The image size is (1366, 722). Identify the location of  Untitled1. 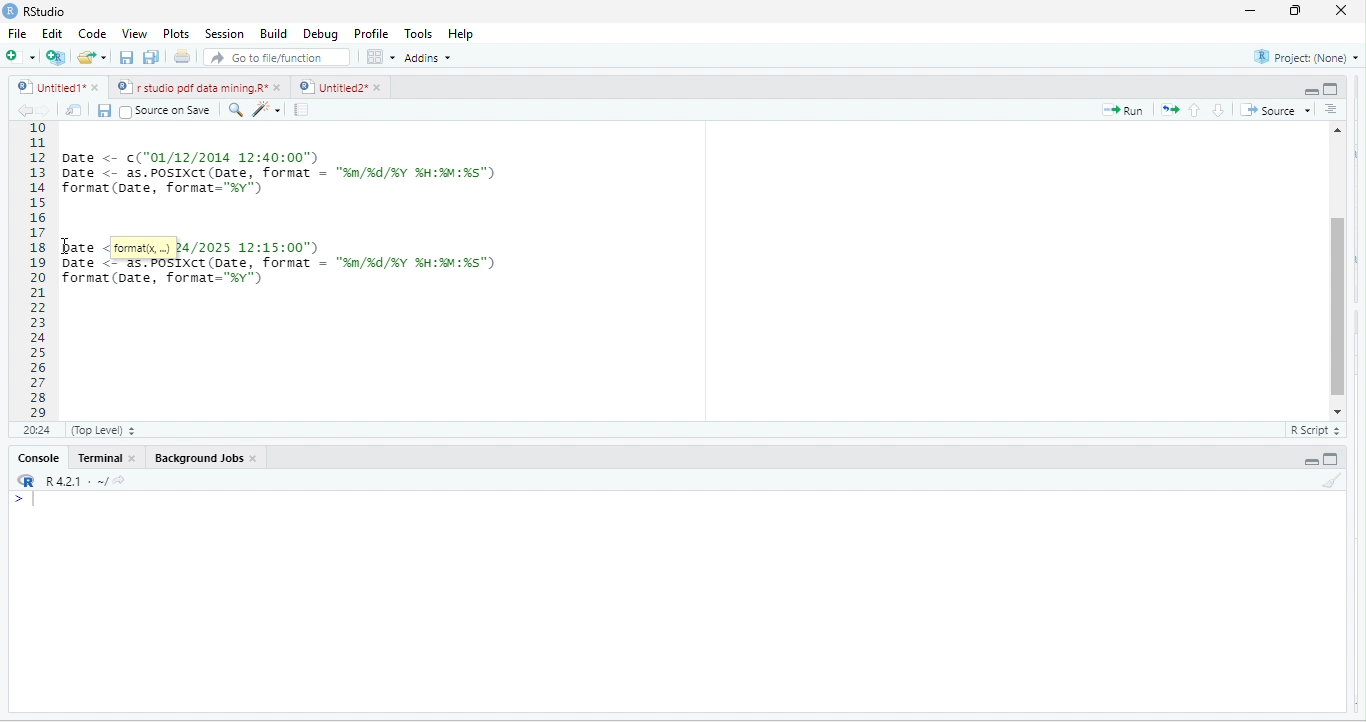
(46, 87).